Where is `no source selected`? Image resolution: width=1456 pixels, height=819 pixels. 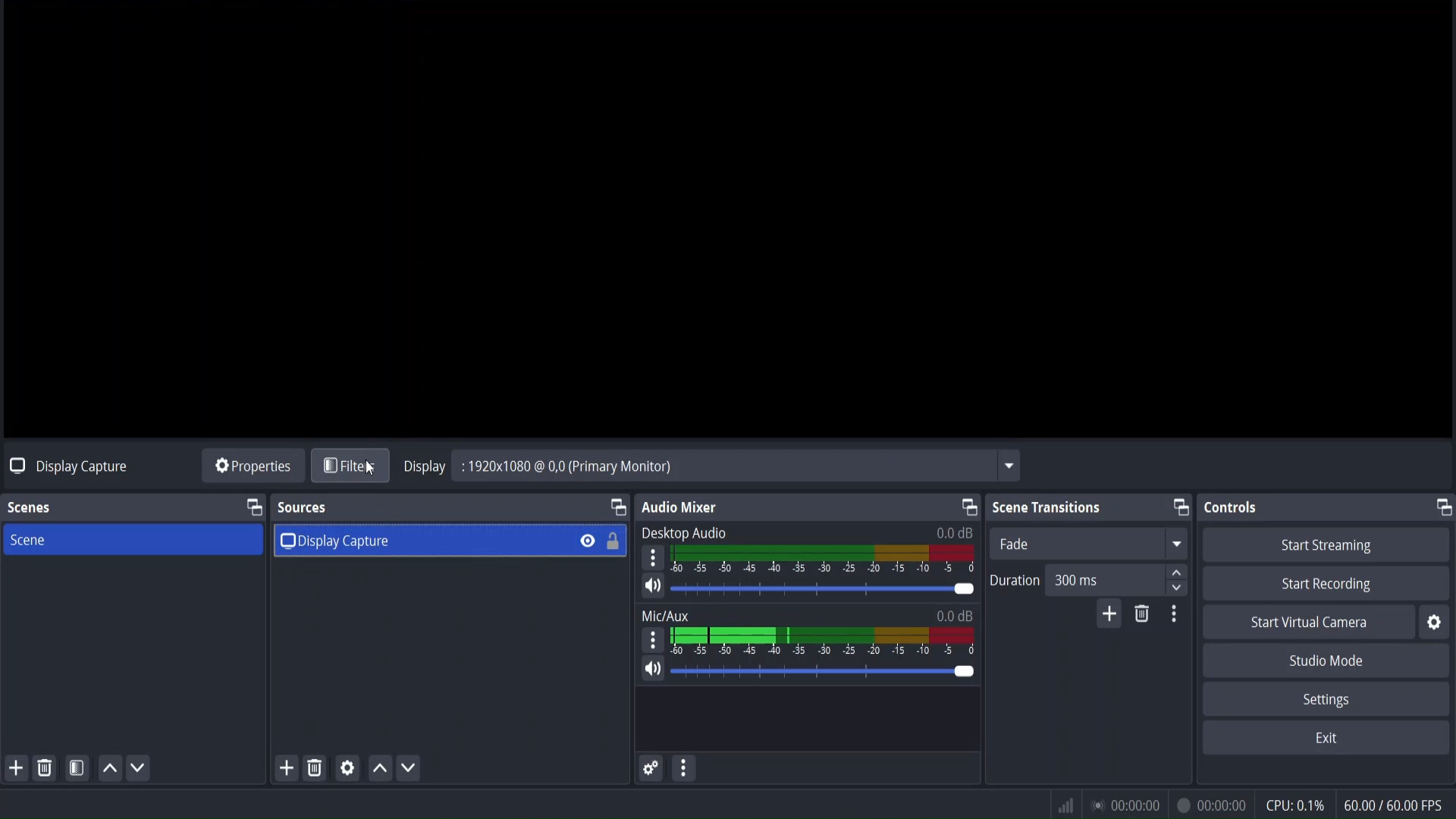
no source selected is located at coordinates (65, 465).